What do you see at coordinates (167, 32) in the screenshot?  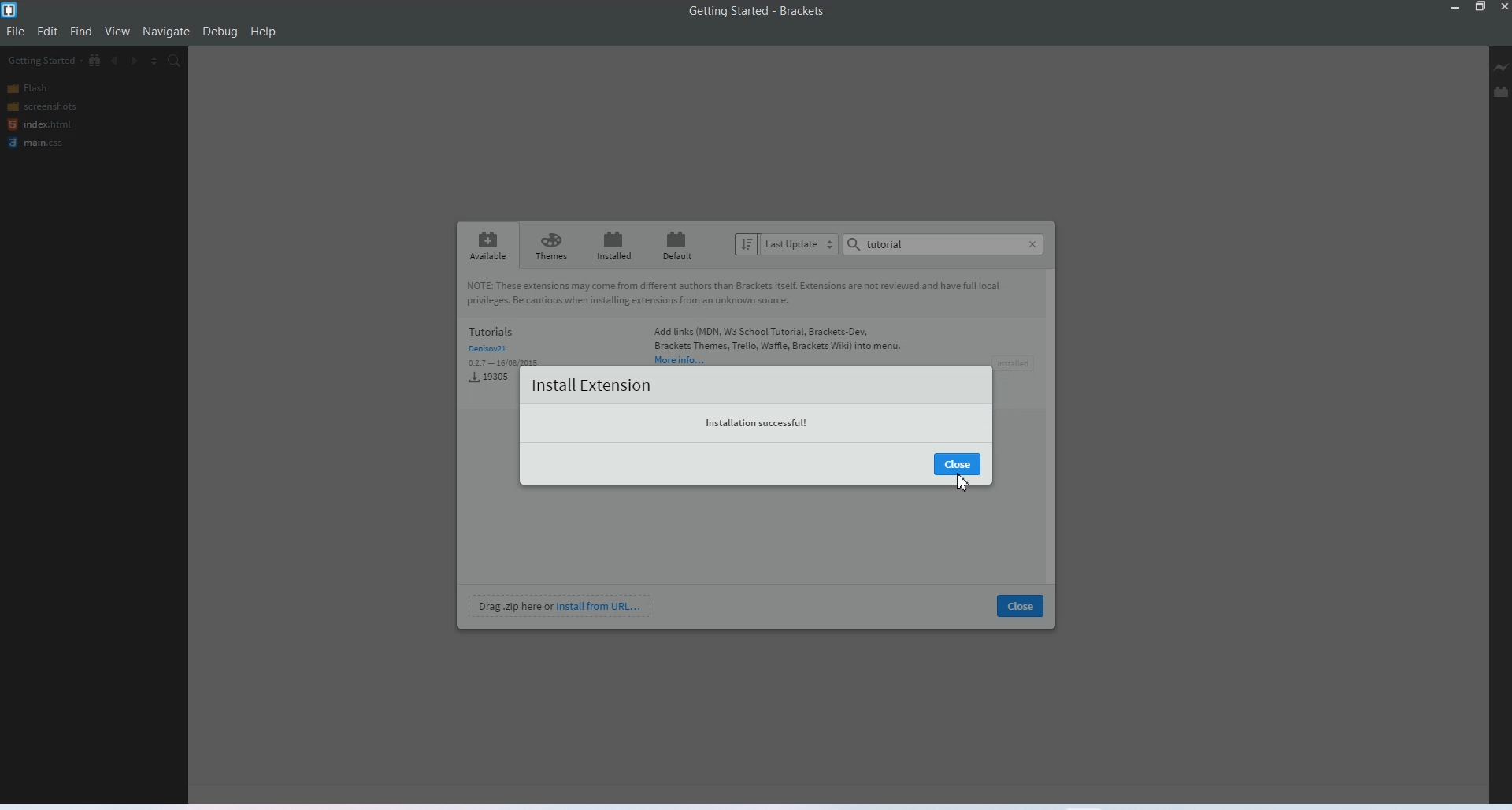 I see `Navigate` at bounding box center [167, 32].